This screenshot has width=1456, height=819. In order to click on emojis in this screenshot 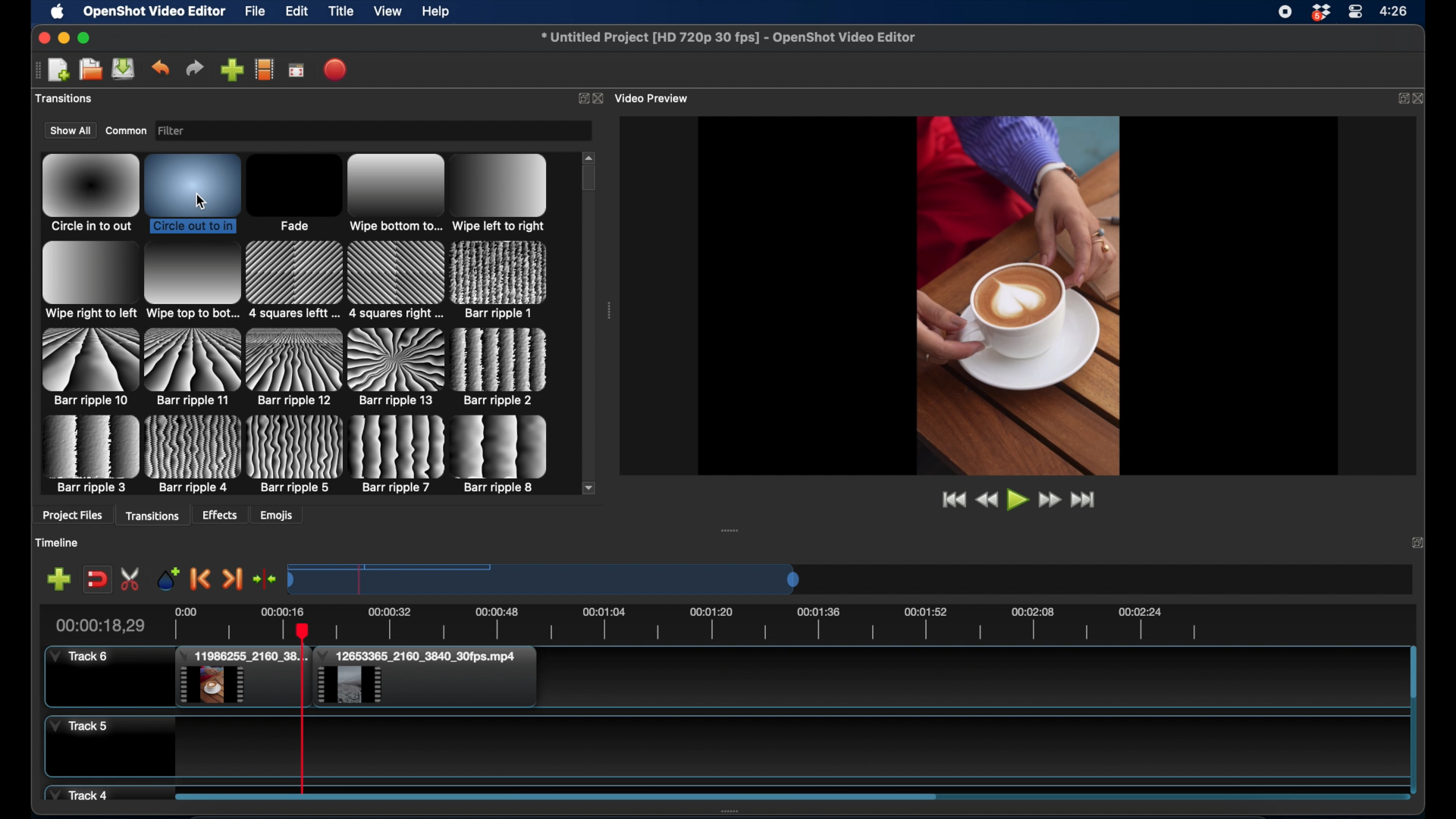, I will do `click(277, 515)`.